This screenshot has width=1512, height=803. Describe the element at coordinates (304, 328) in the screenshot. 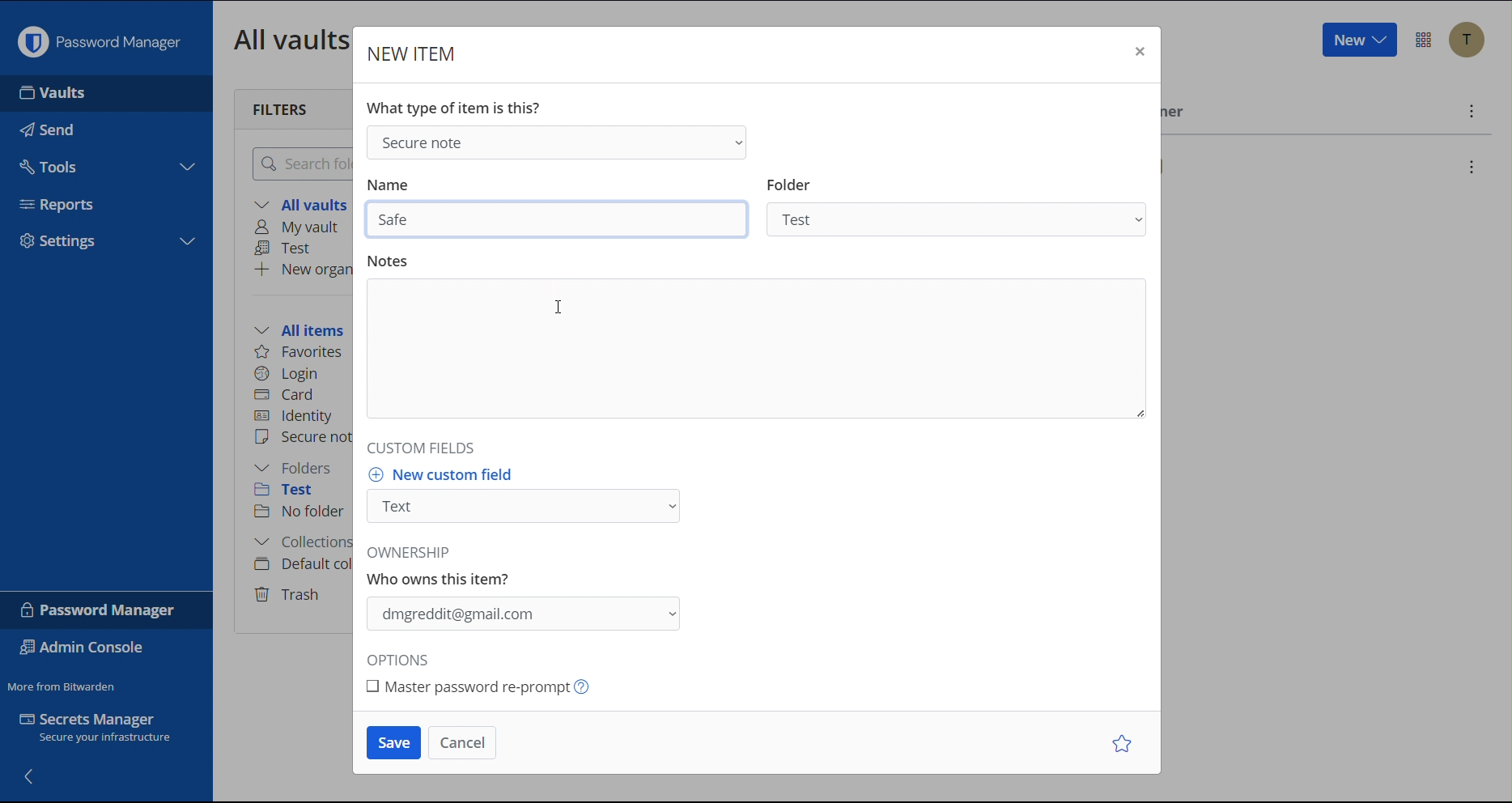

I see `All items` at that location.